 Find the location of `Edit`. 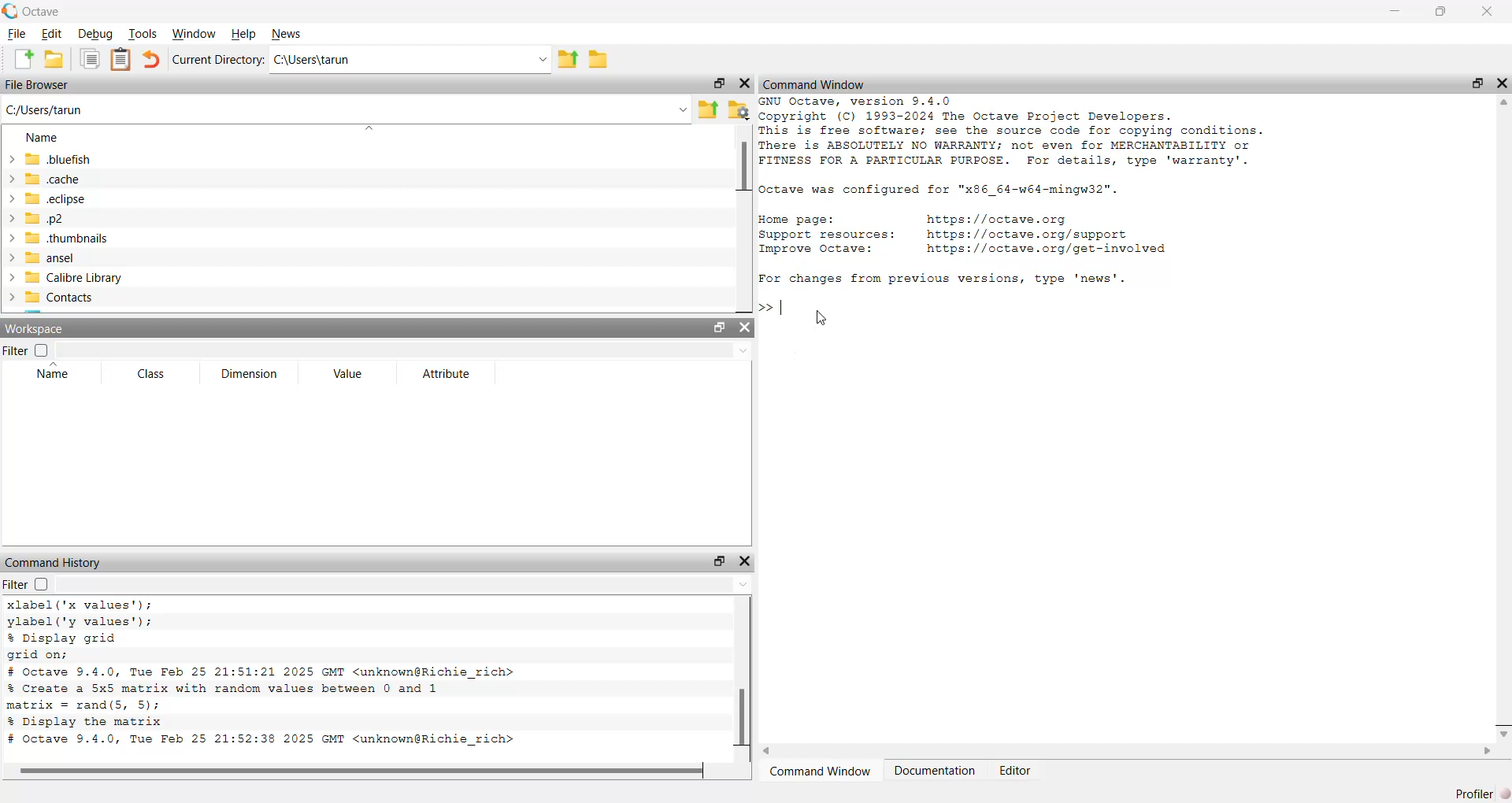

Edit is located at coordinates (52, 33).